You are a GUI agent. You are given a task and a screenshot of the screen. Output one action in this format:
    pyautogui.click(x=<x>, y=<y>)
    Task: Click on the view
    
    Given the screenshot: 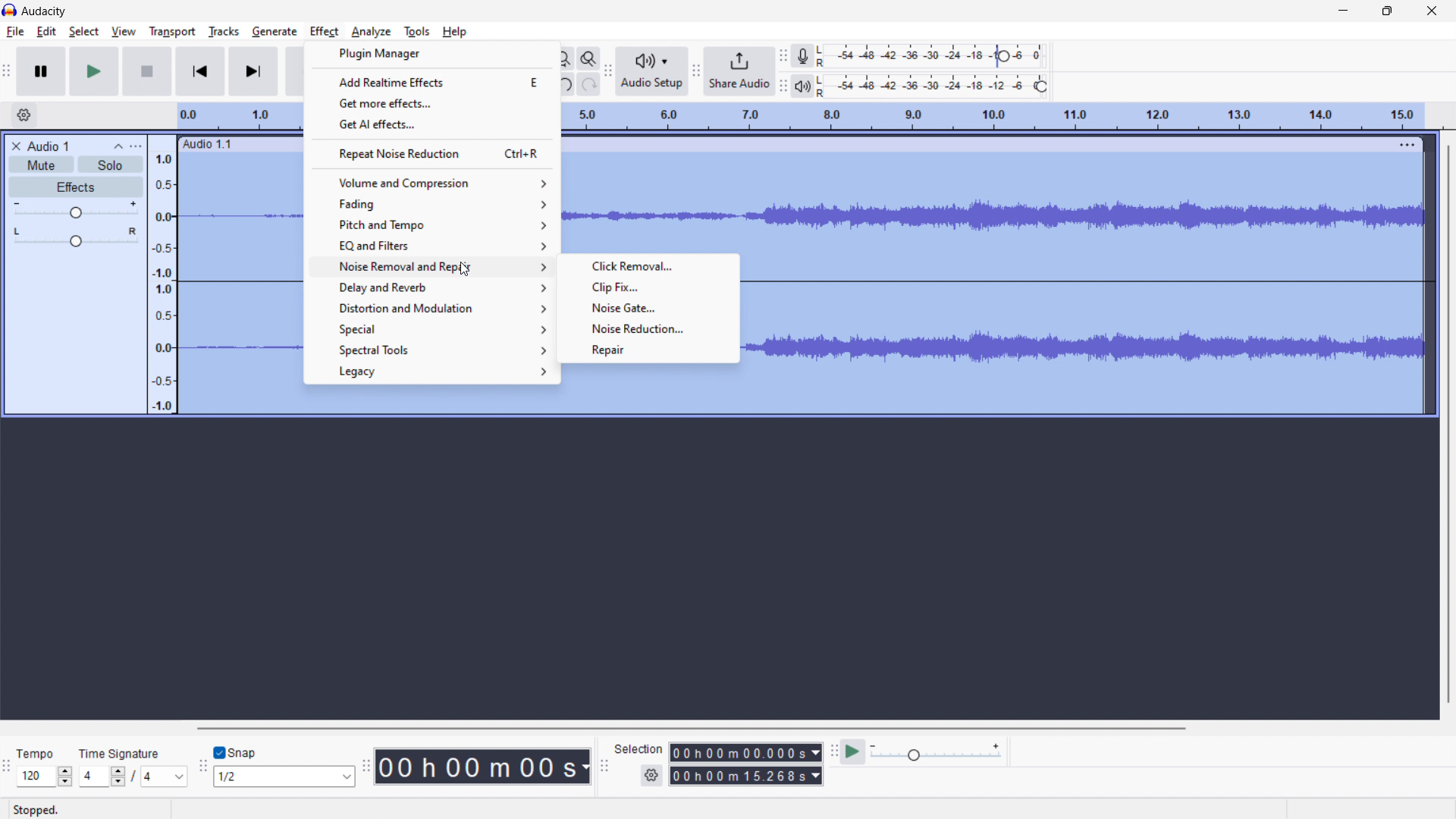 What is the action you would take?
    pyautogui.click(x=123, y=30)
    